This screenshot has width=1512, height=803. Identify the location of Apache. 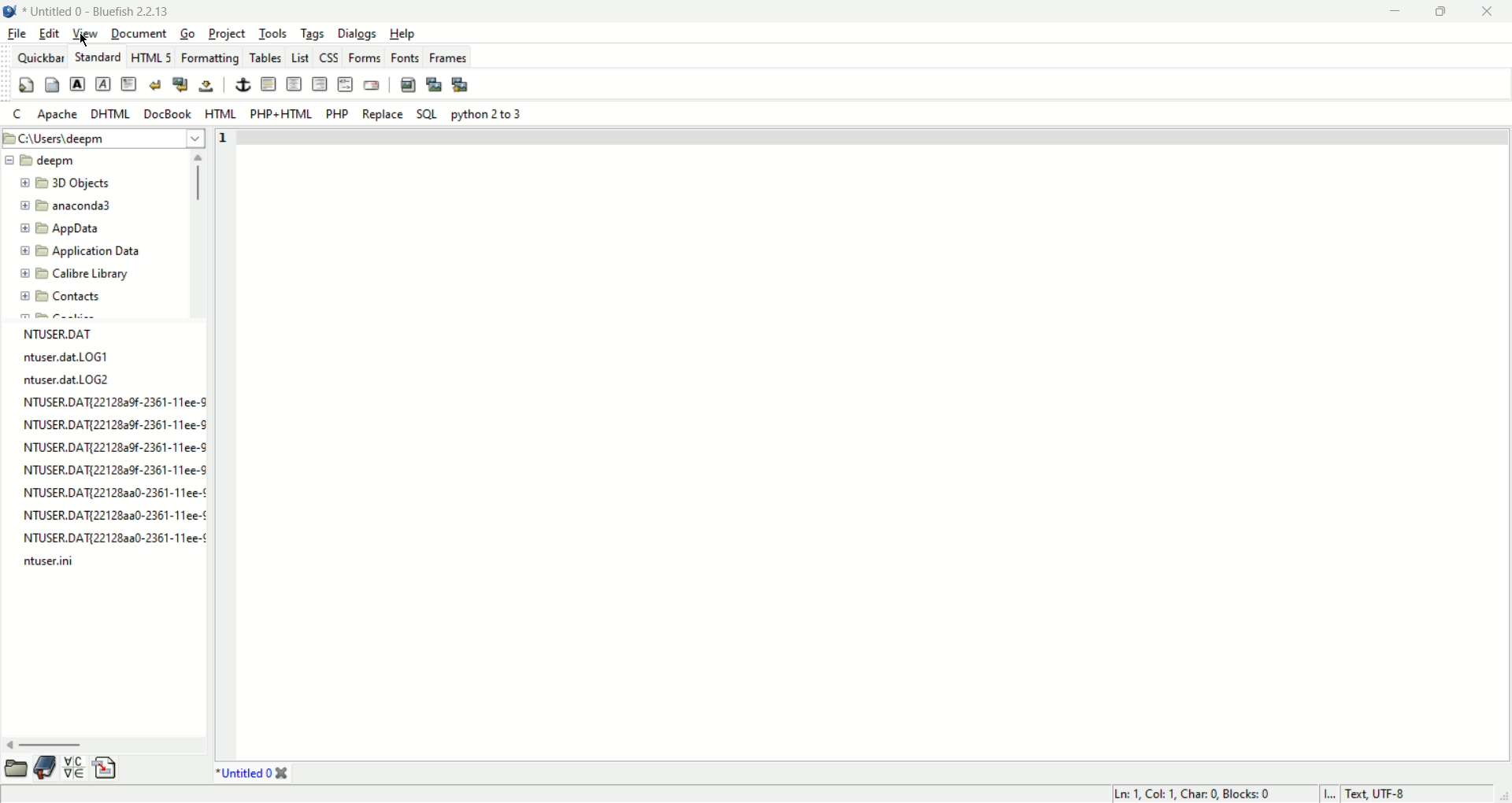
(57, 114).